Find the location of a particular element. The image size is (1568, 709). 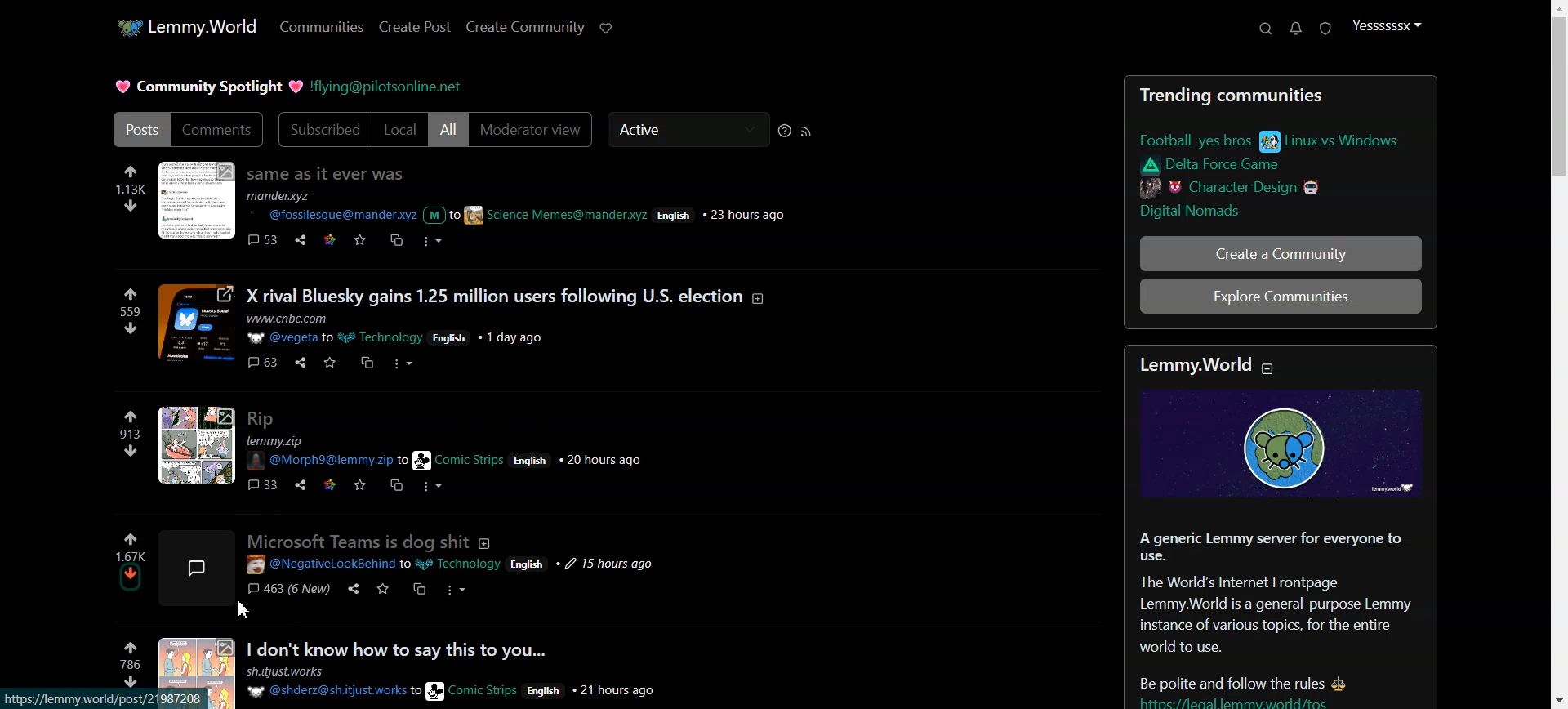

Home Page is located at coordinates (185, 26).